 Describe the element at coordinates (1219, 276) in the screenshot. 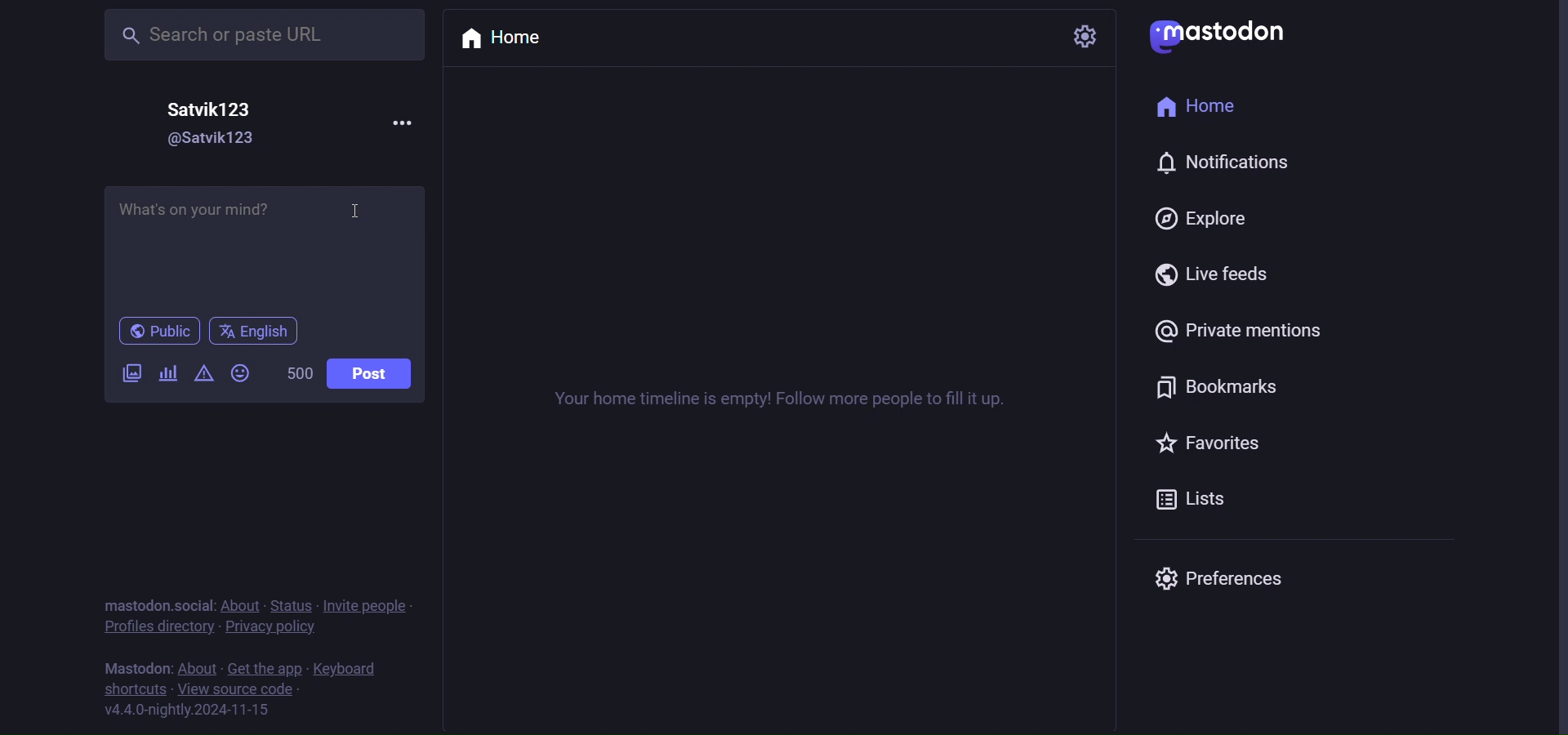

I see `live feed` at that location.